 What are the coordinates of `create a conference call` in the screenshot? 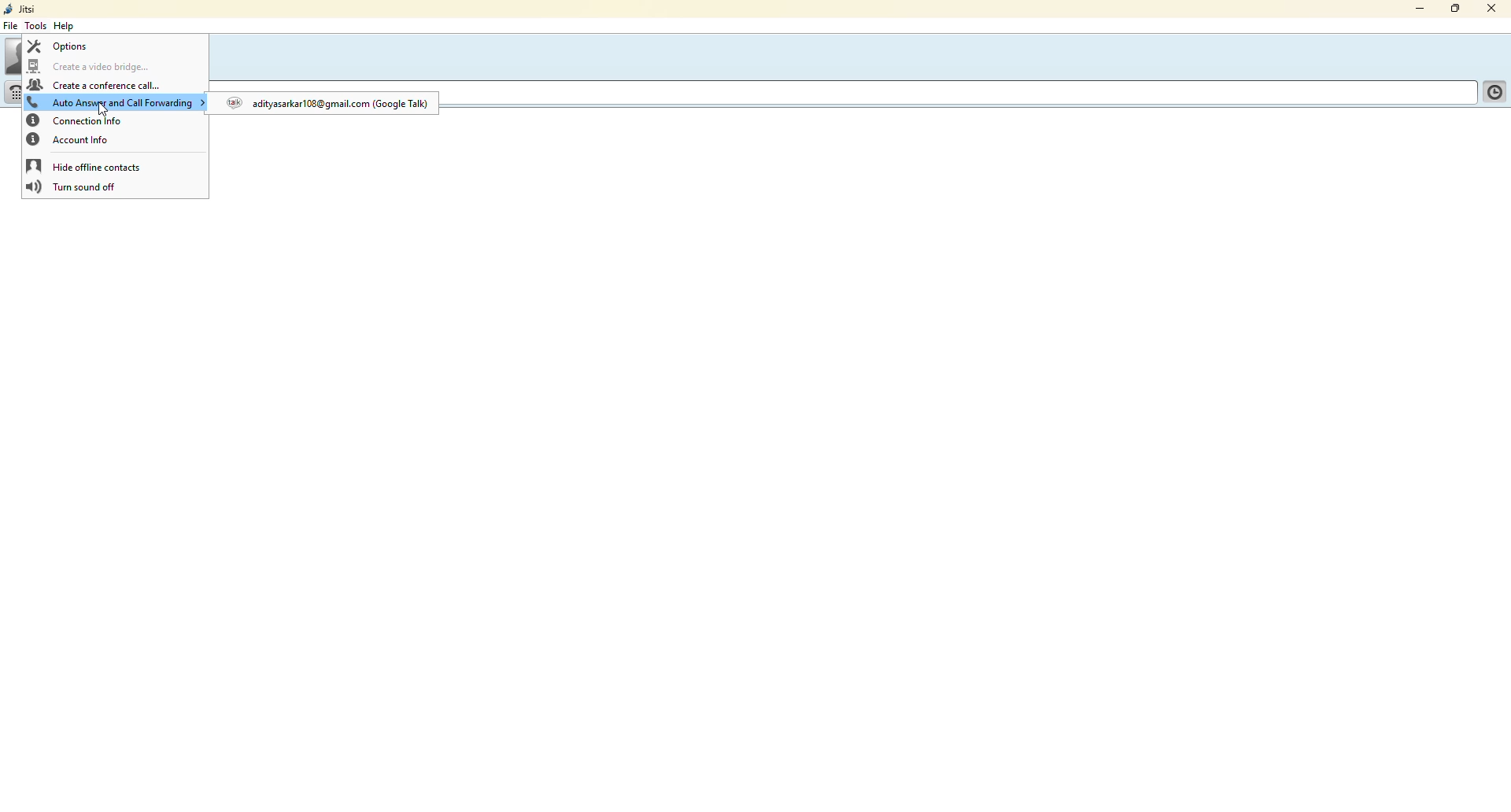 It's located at (93, 85).